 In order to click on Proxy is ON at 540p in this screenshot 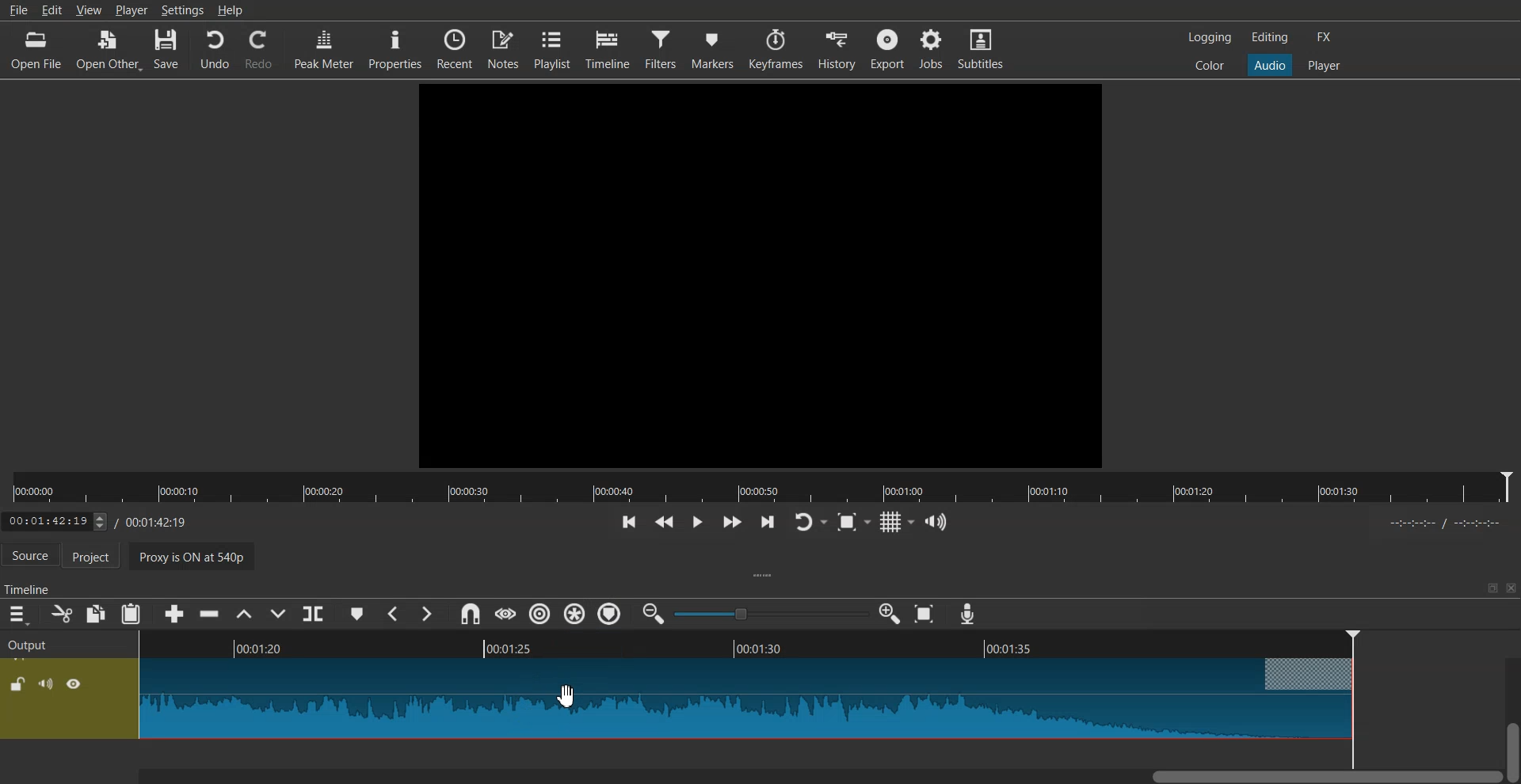, I will do `click(196, 555)`.